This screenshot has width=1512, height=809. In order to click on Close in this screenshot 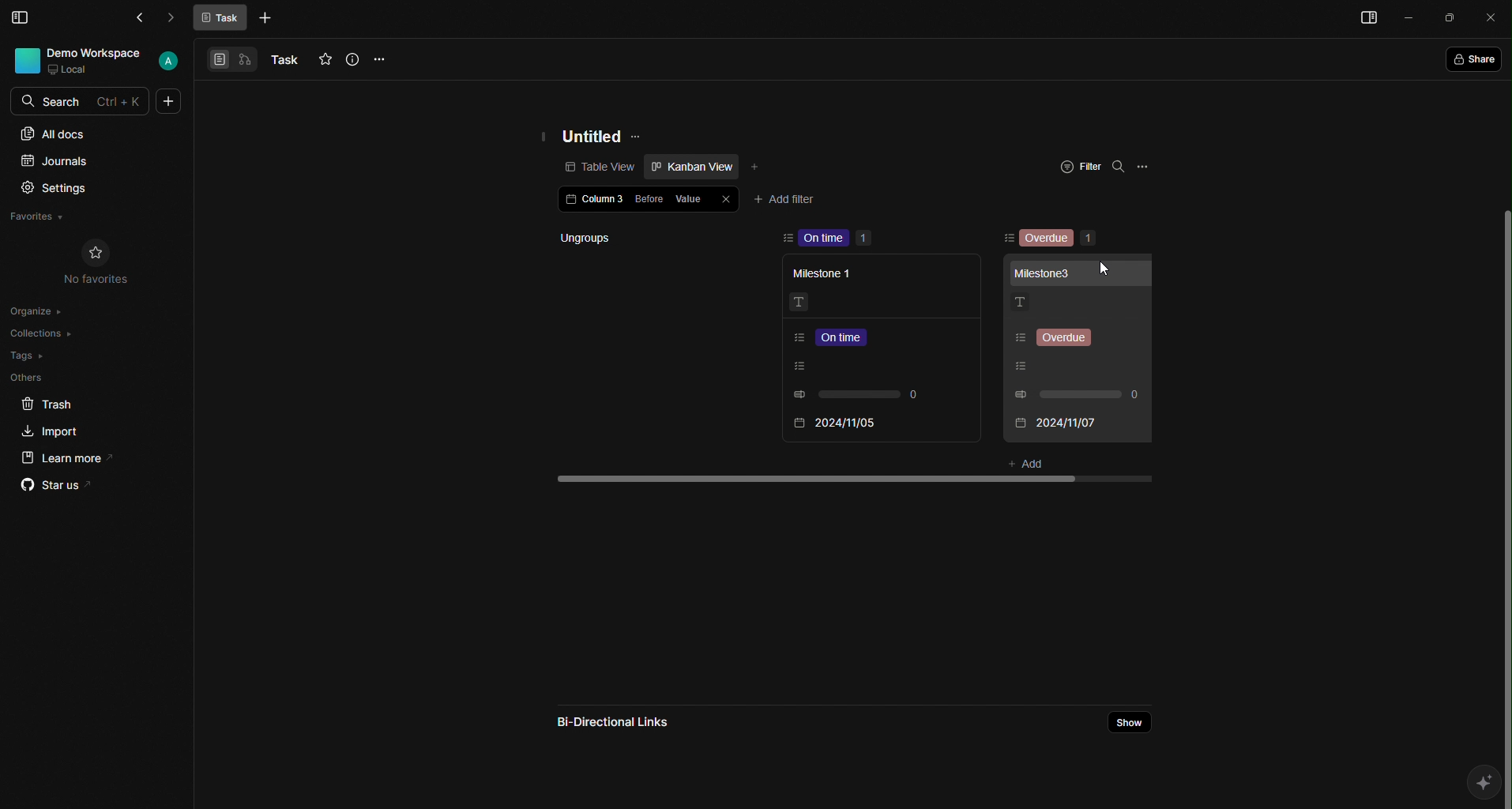, I will do `click(1493, 16)`.